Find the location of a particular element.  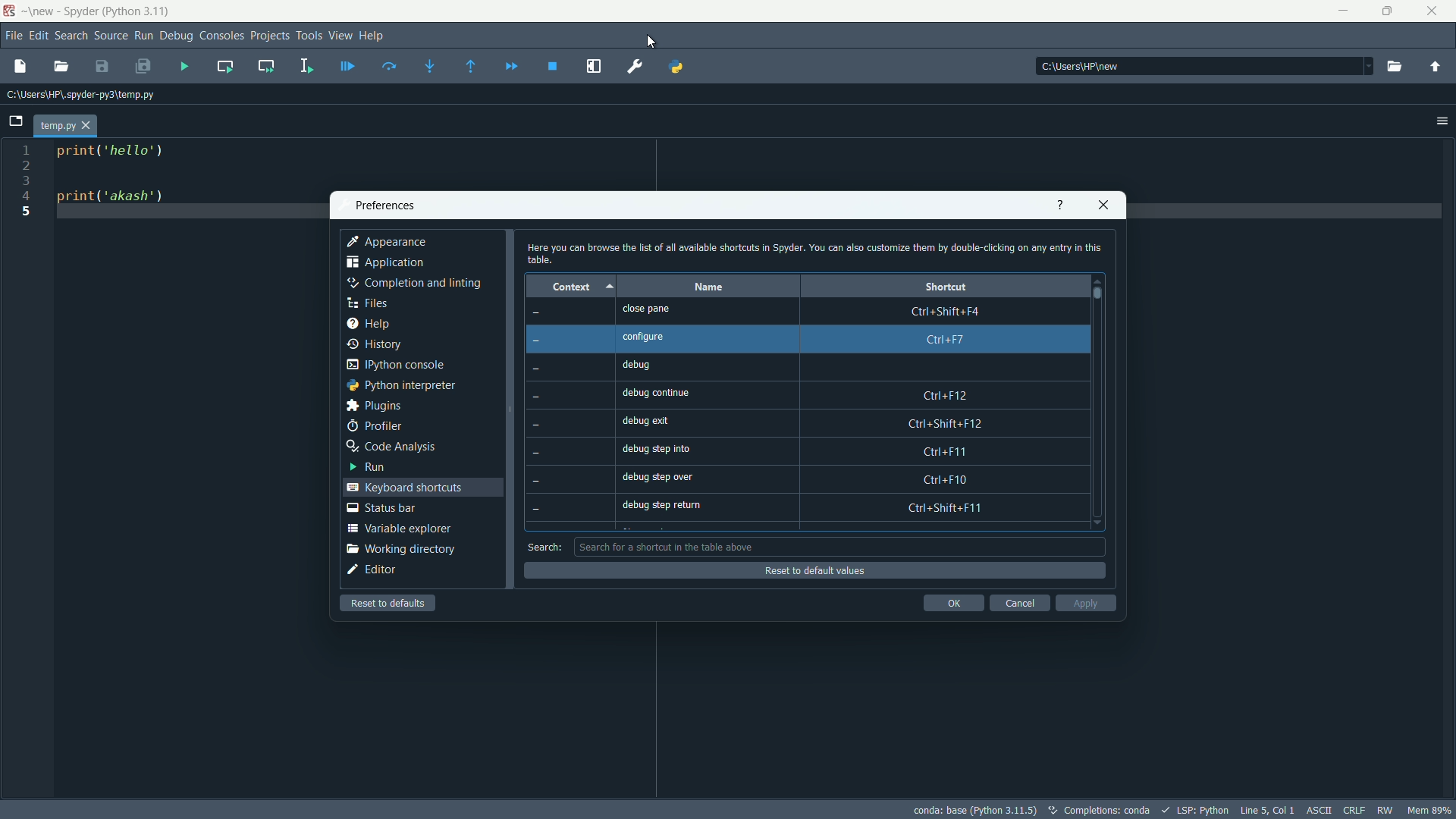

cancel is located at coordinates (1018, 603).